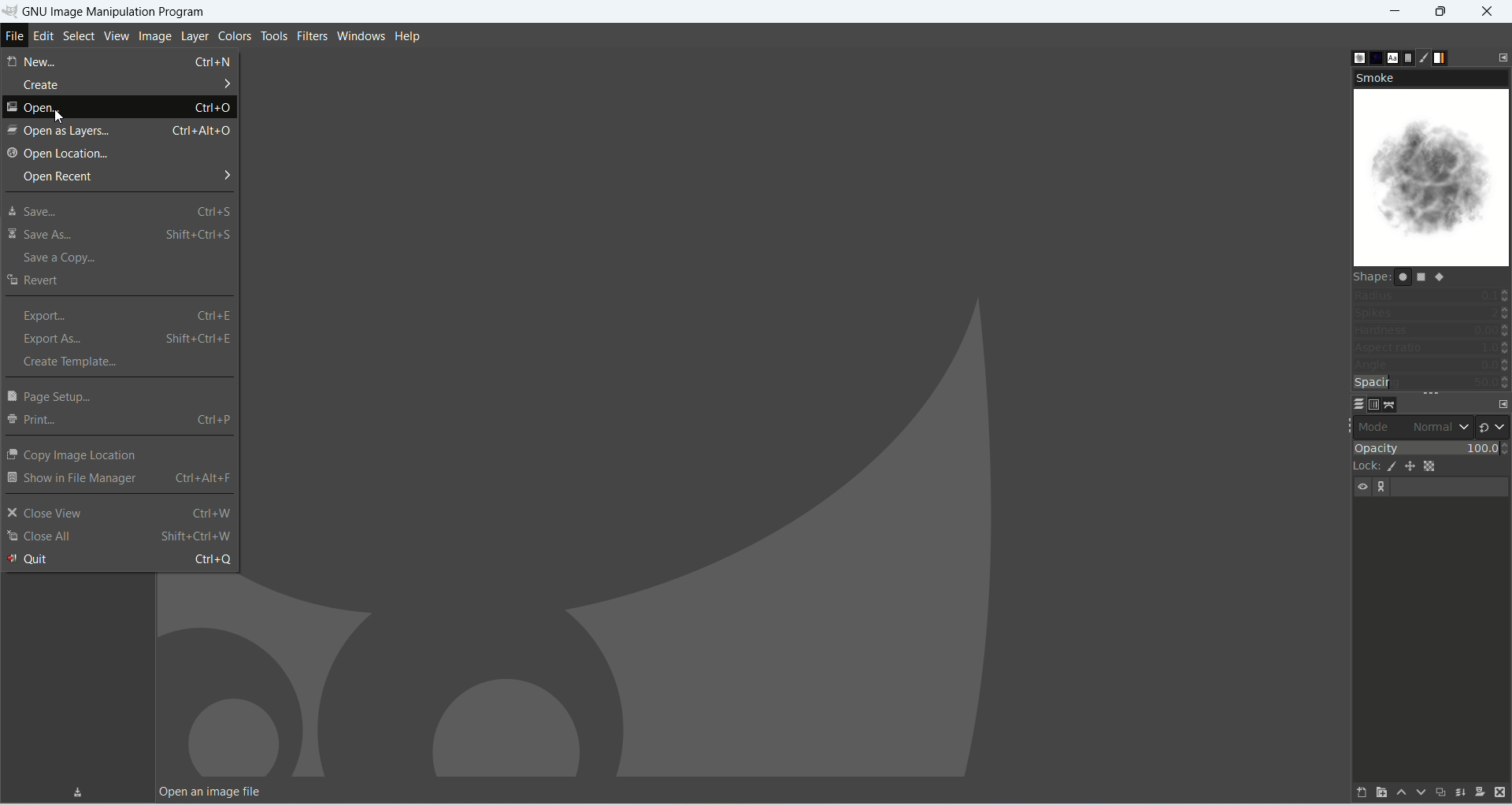 This screenshot has width=1512, height=805. Describe the element at coordinates (1432, 295) in the screenshot. I see `radius` at that location.